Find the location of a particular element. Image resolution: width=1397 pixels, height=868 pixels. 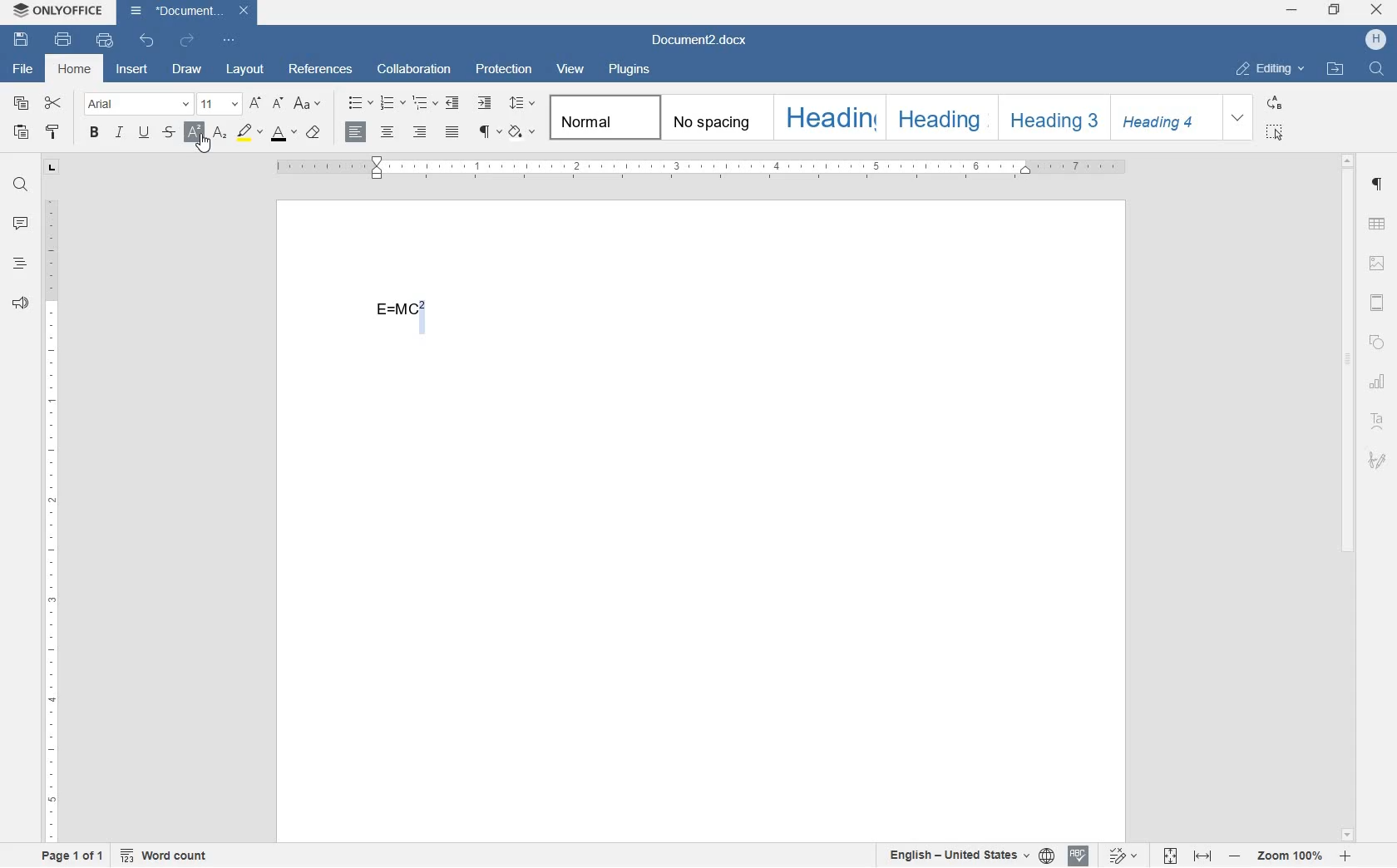

cut is located at coordinates (55, 101).